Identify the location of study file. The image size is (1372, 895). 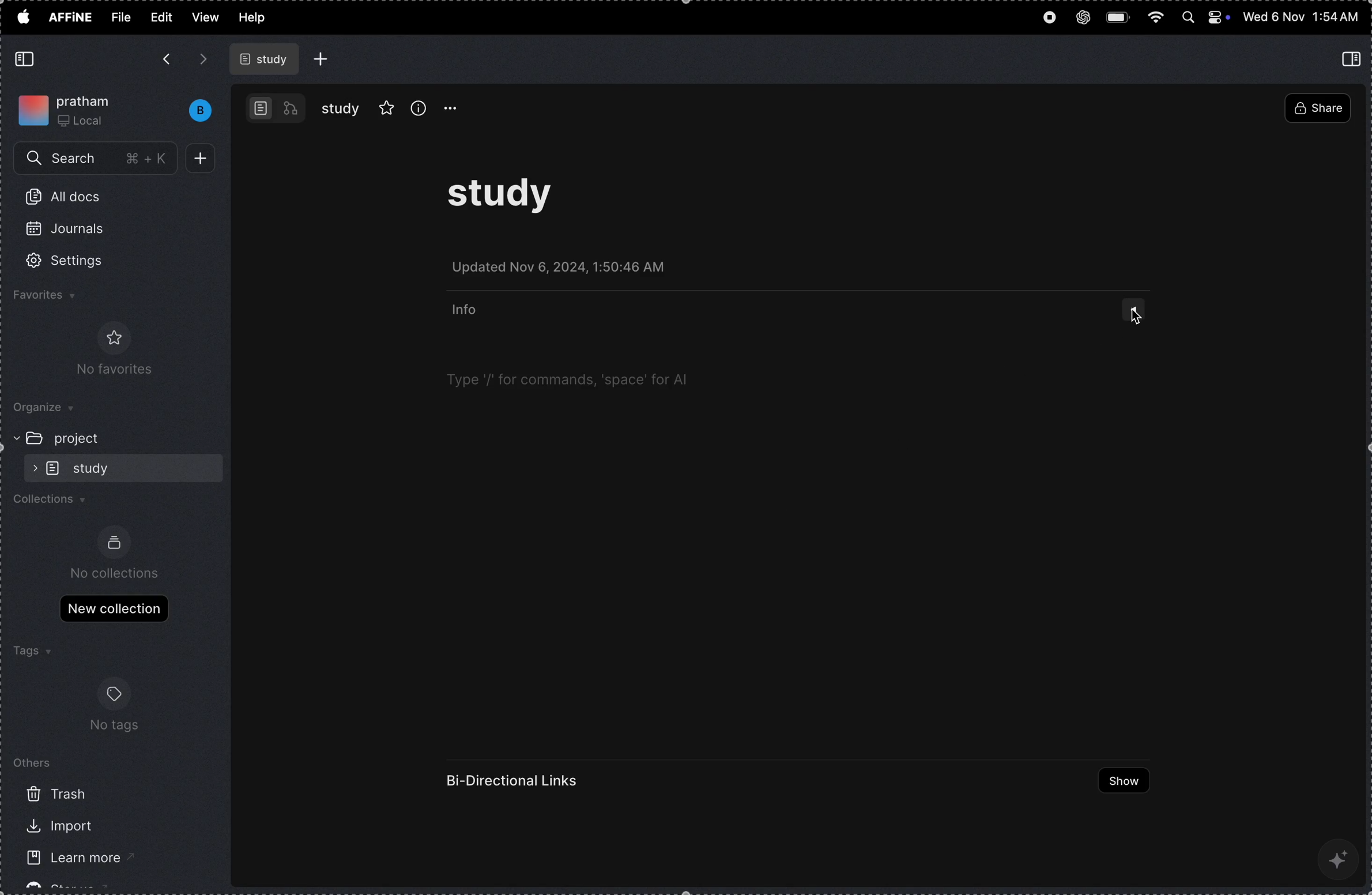
(266, 59).